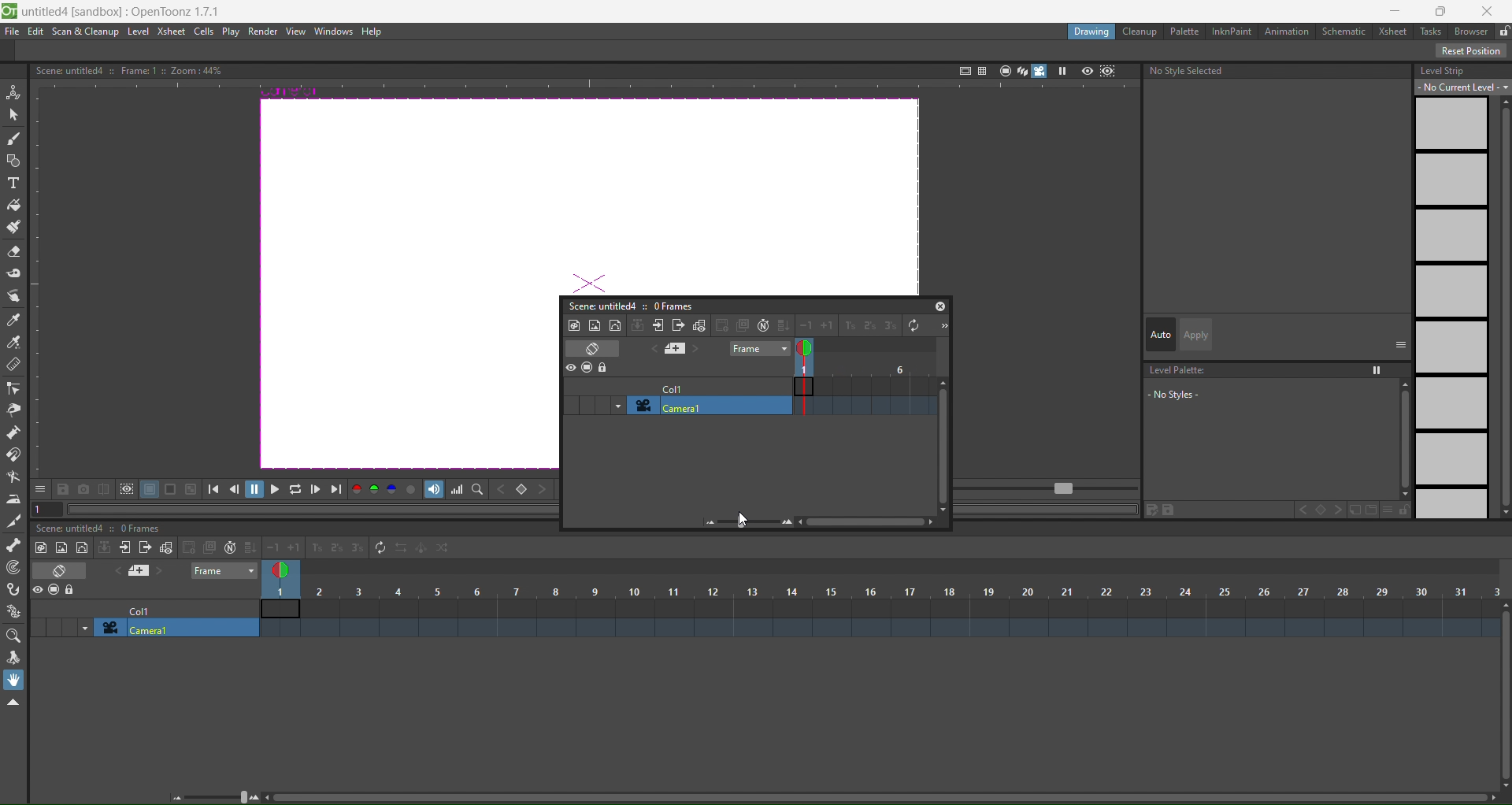 This screenshot has height=805, width=1512. I want to click on , so click(914, 325).